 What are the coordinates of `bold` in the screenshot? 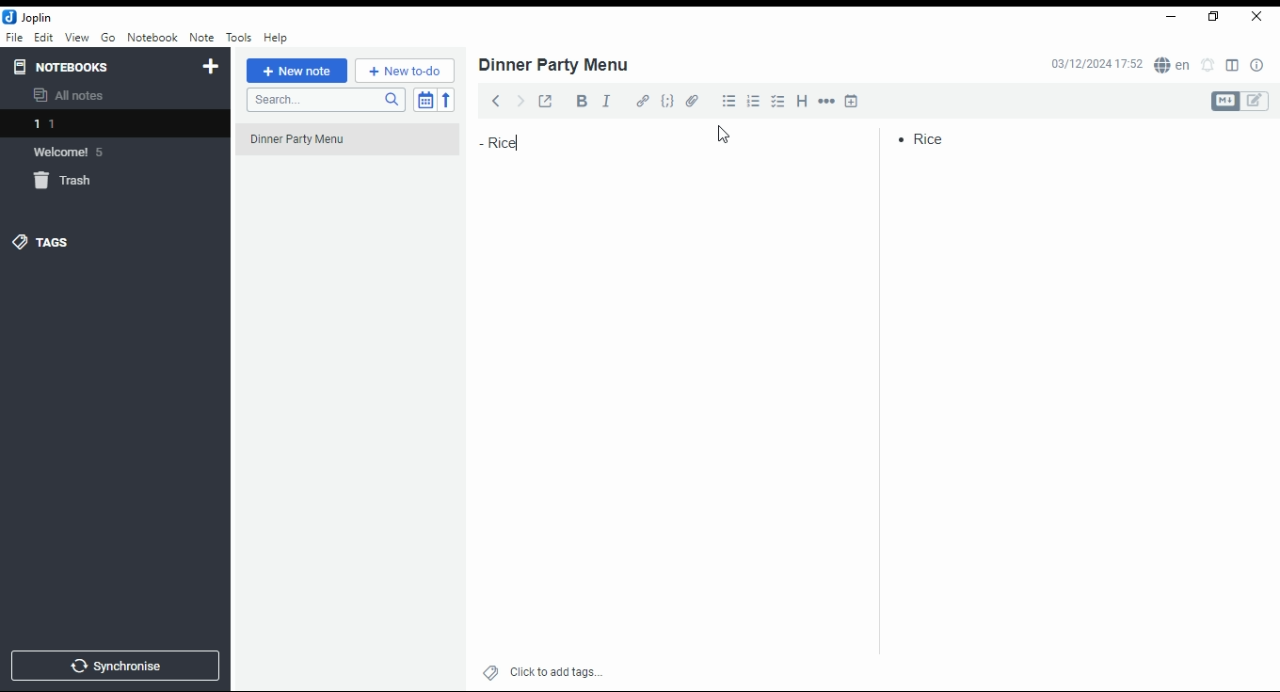 It's located at (578, 101).